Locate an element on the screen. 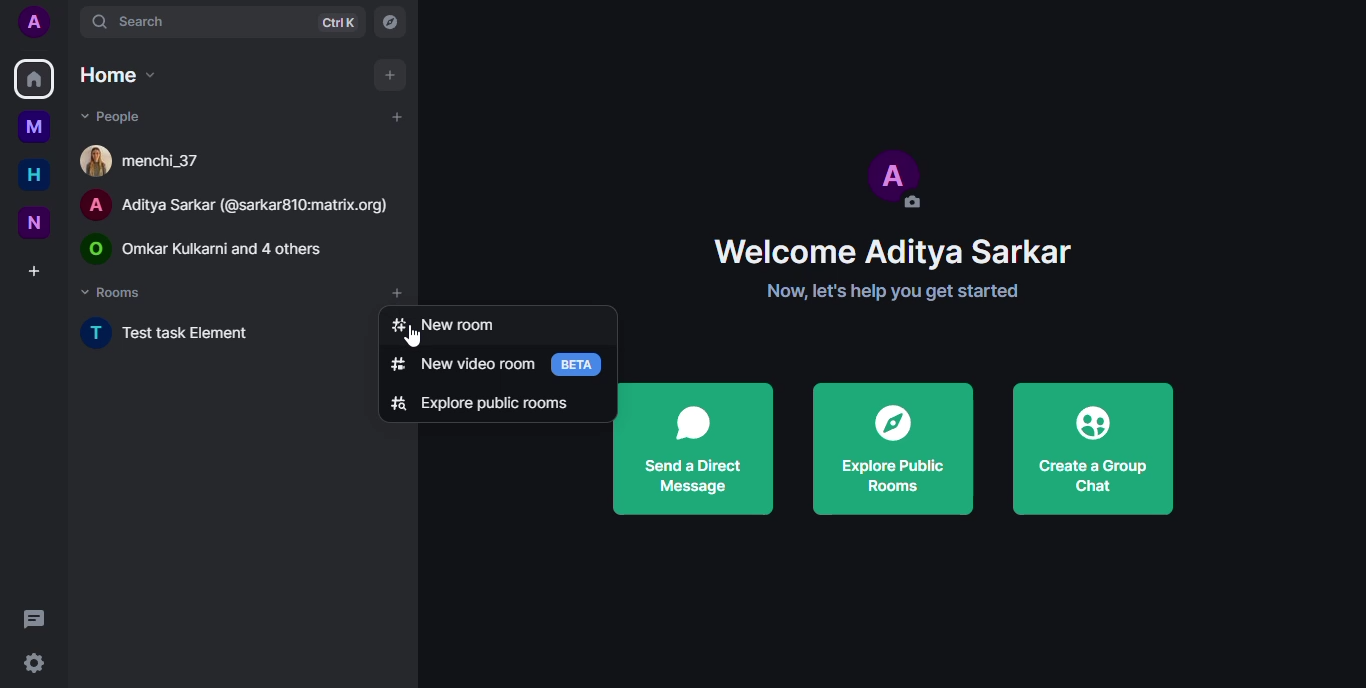 The width and height of the screenshot is (1366, 688). home is located at coordinates (33, 78).